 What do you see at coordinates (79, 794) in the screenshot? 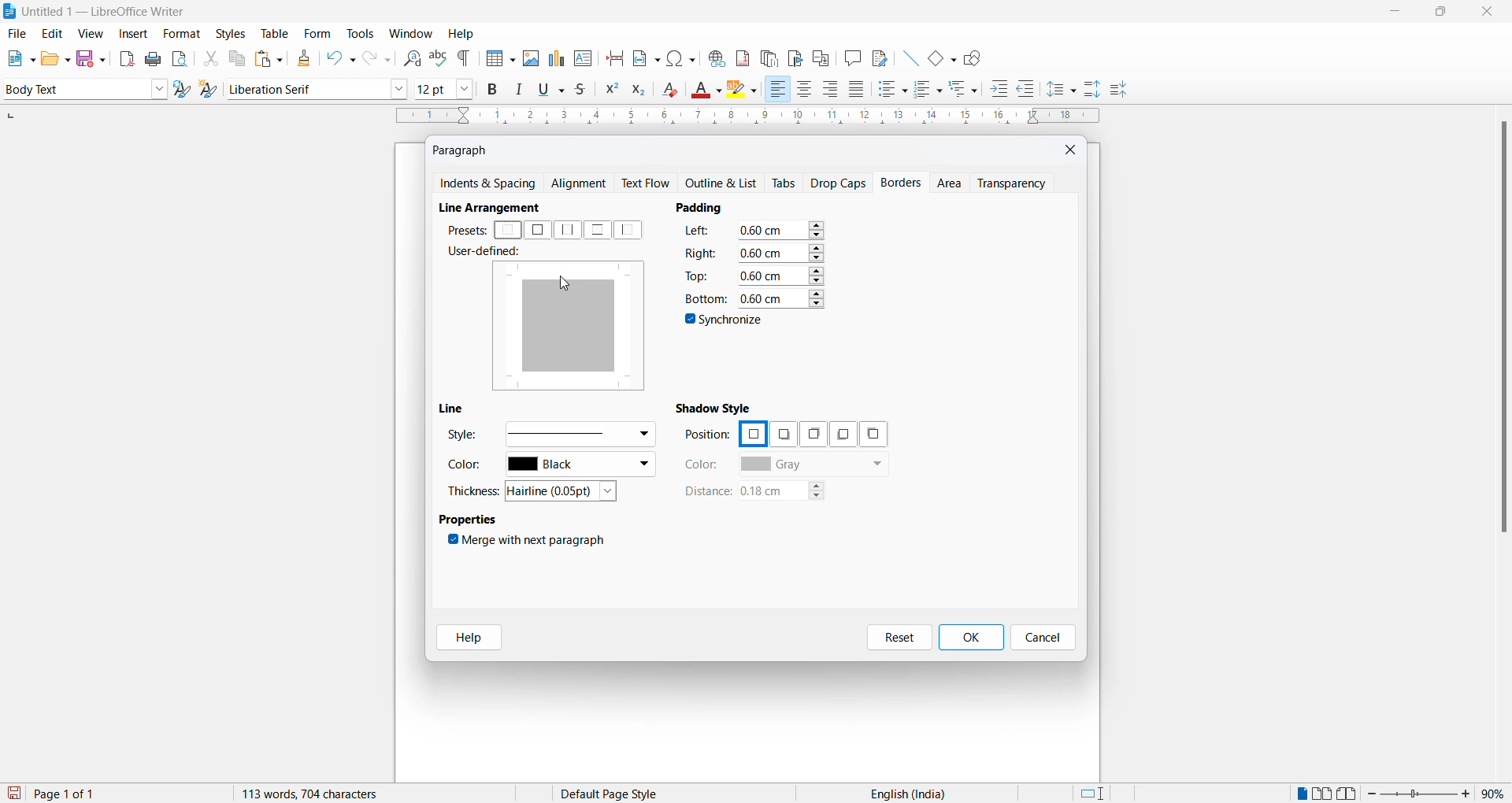
I see `total page and current page` at bounding box center [79, 794].